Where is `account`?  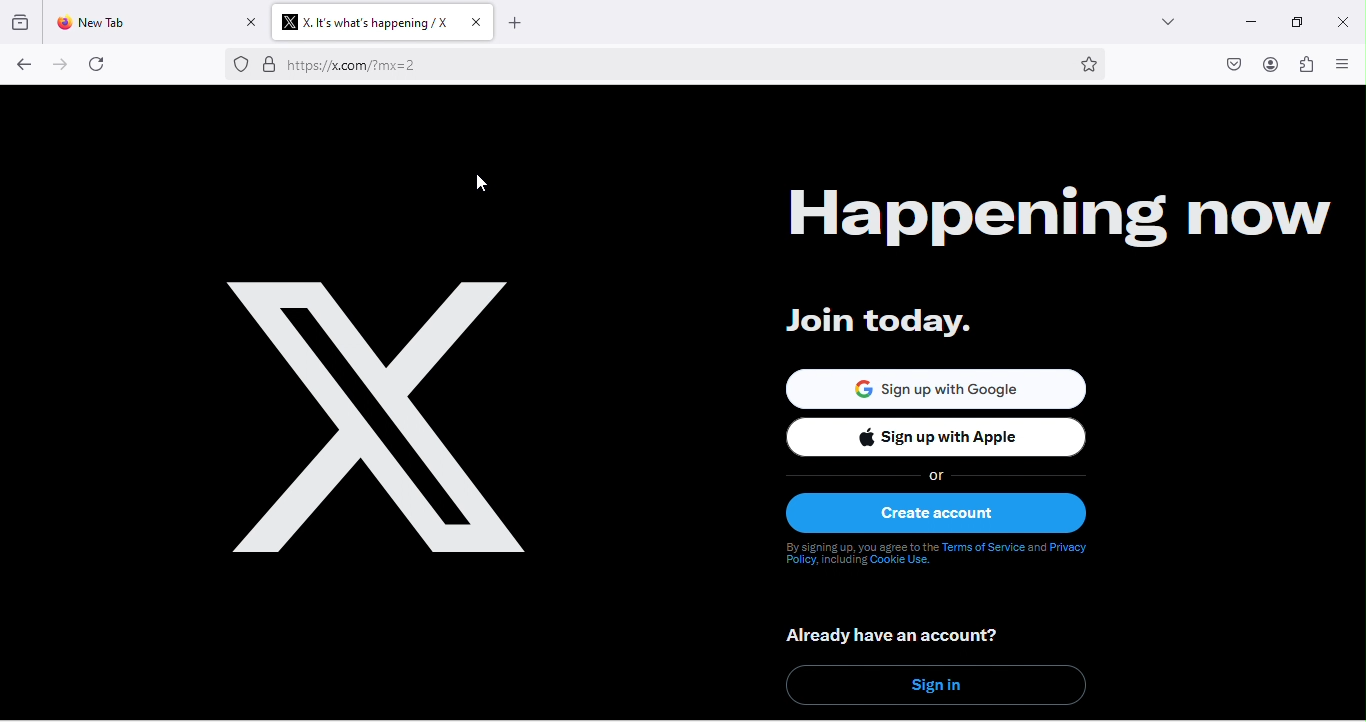 account is located at coordinates (1267, 64).